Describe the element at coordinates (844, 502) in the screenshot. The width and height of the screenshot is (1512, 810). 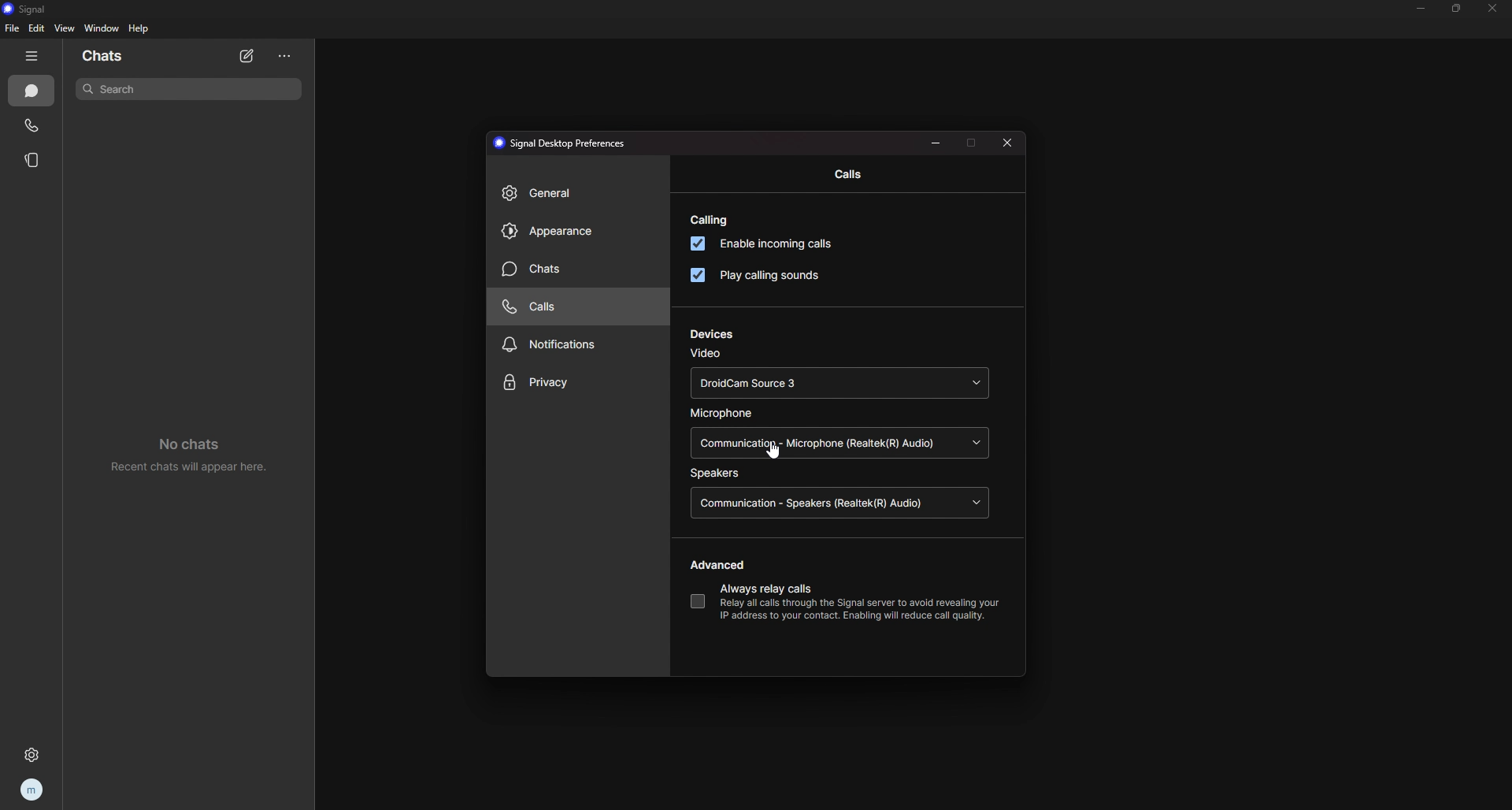
I see `speaker source` at that location.